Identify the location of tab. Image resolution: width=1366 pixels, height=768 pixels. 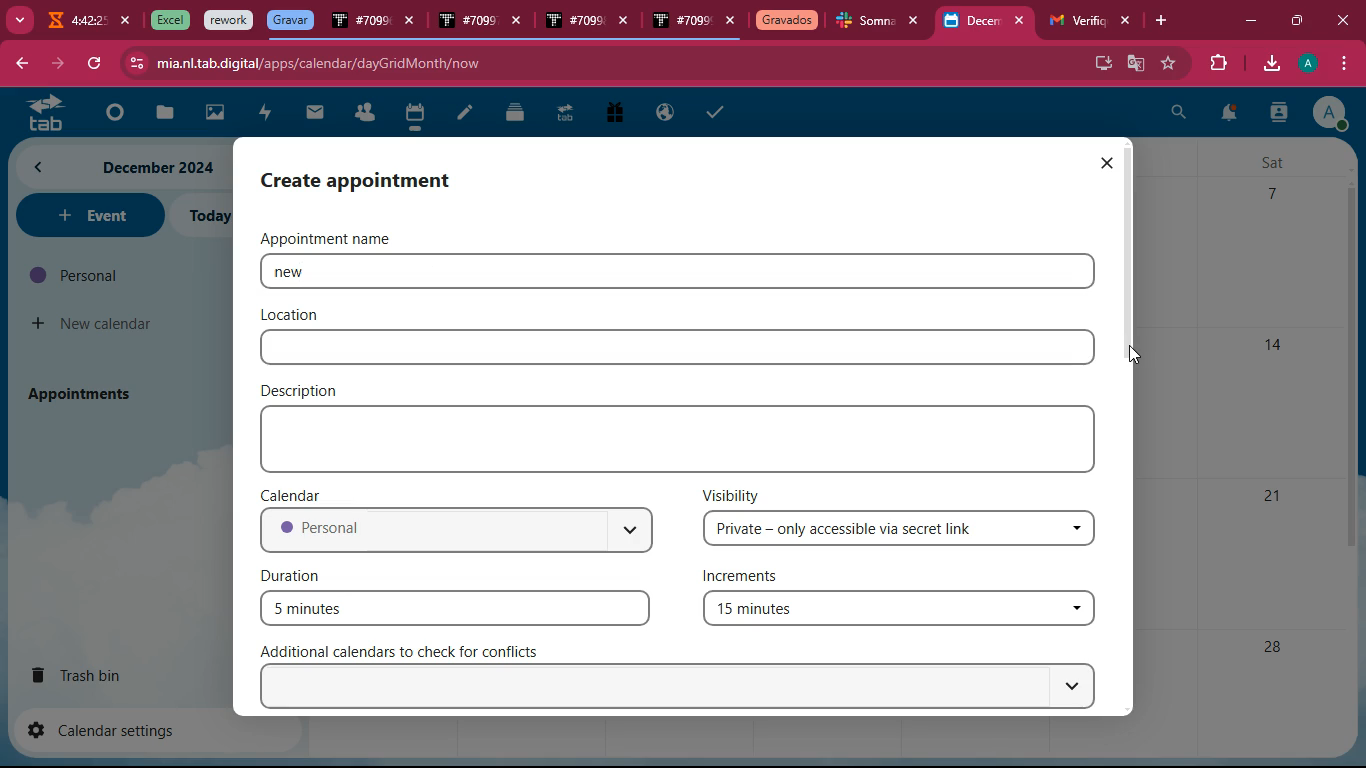
(290, 20).